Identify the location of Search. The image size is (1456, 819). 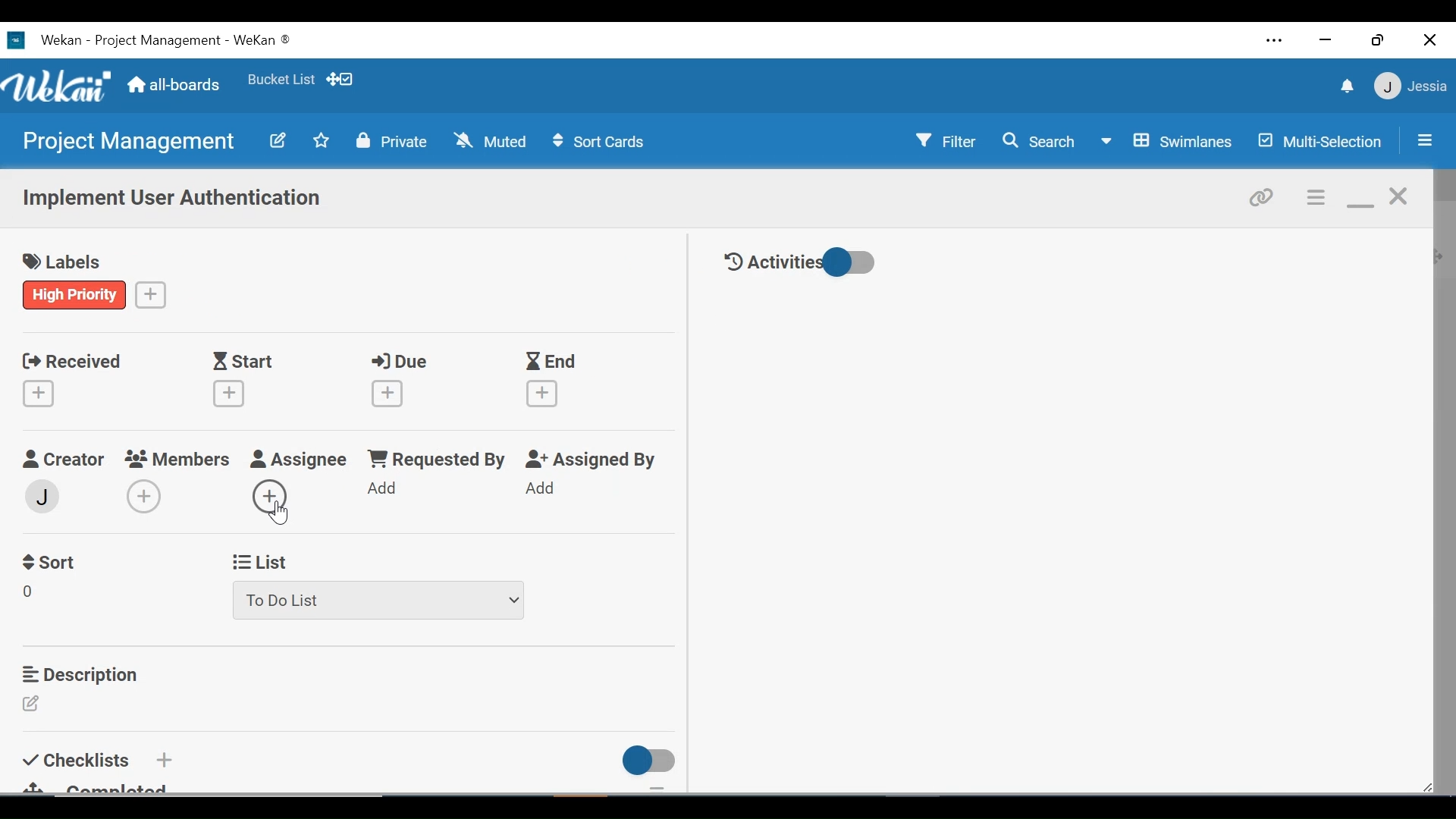
(1038, 141).